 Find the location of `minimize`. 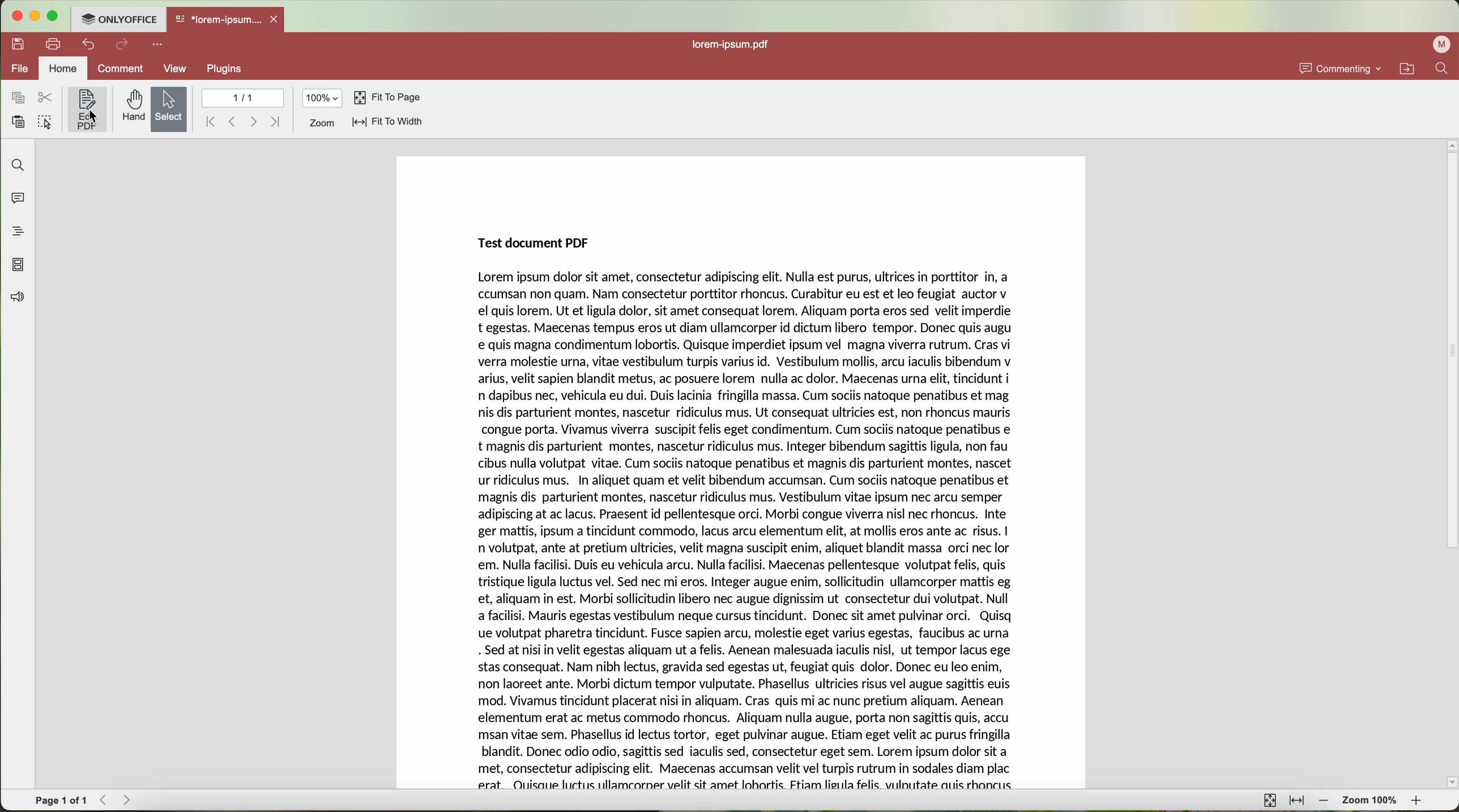

minimize is located at coordinates (34, 16).